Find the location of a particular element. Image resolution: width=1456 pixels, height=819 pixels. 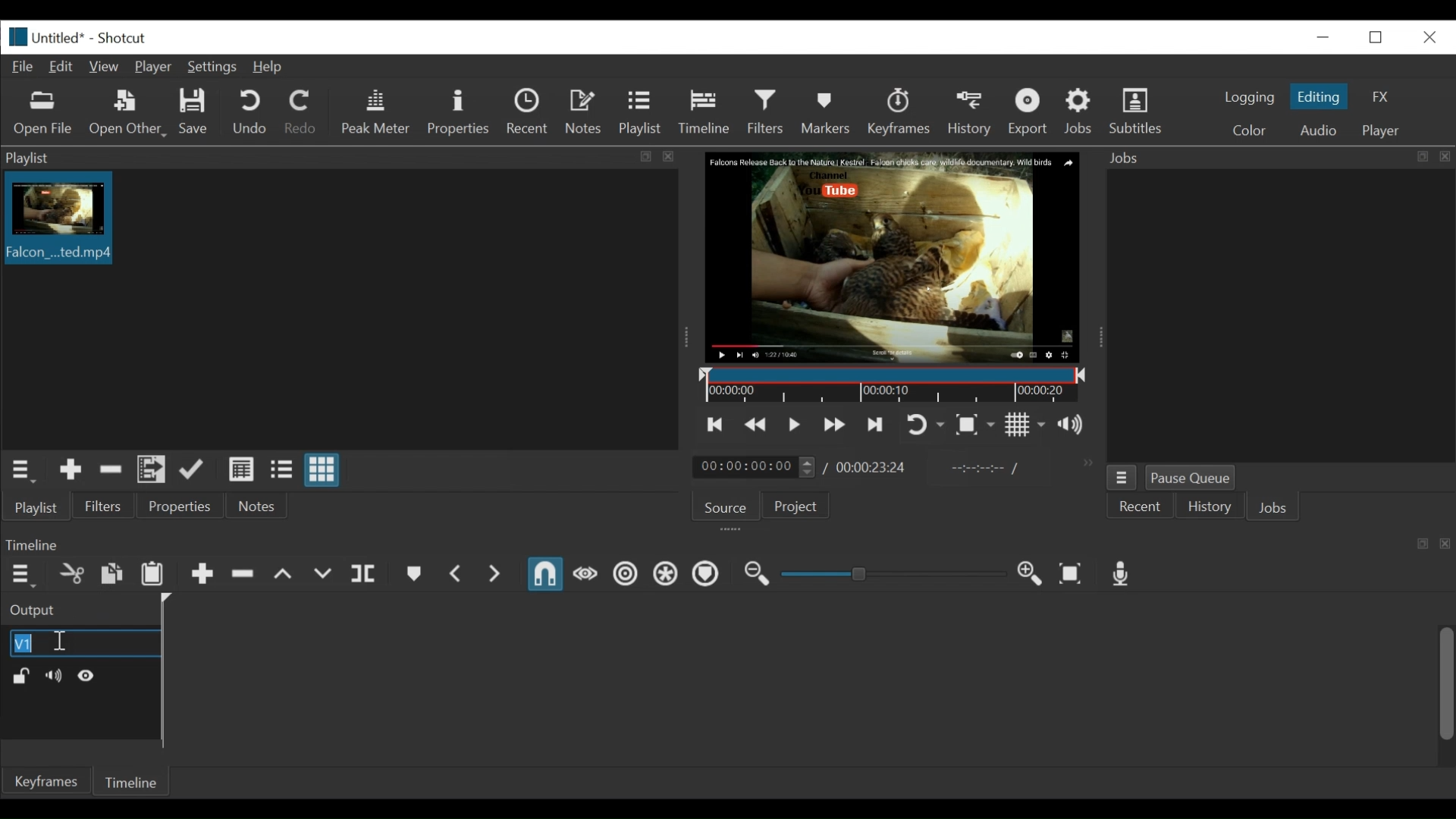

Export is located at coordinates (1029, 113).